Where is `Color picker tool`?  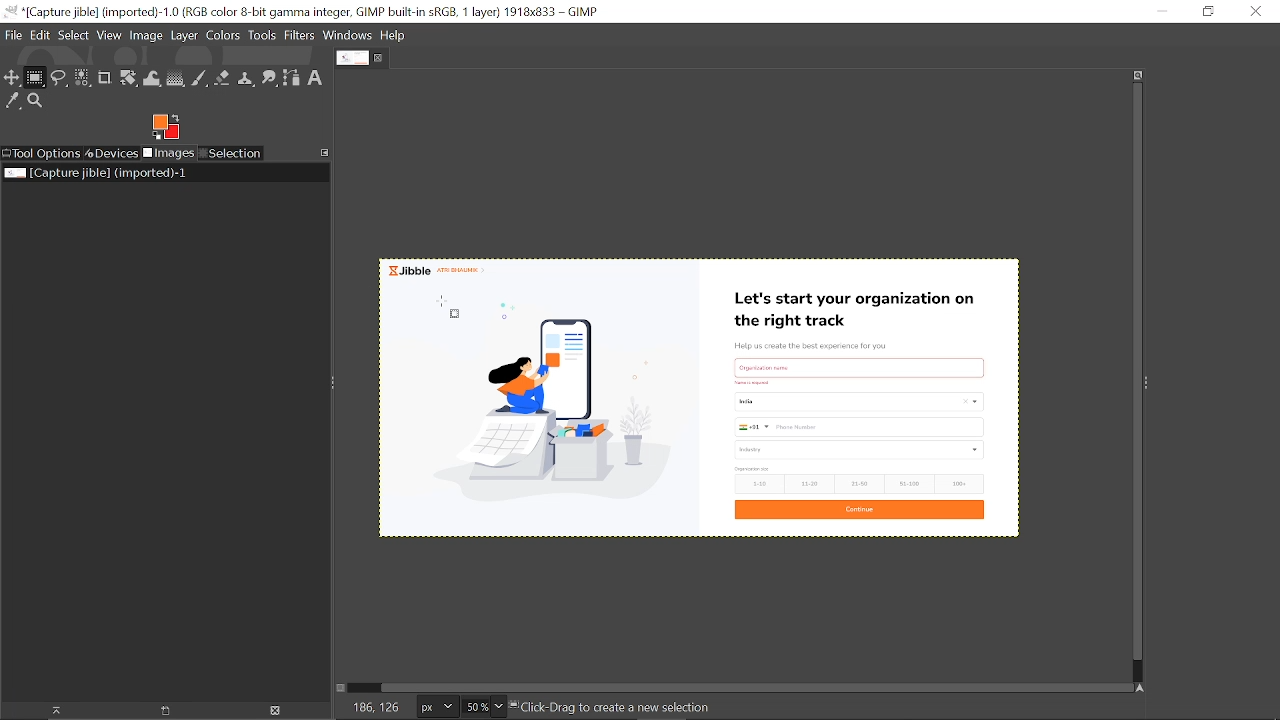 Color picker tool is located at coordinates (13, 102).